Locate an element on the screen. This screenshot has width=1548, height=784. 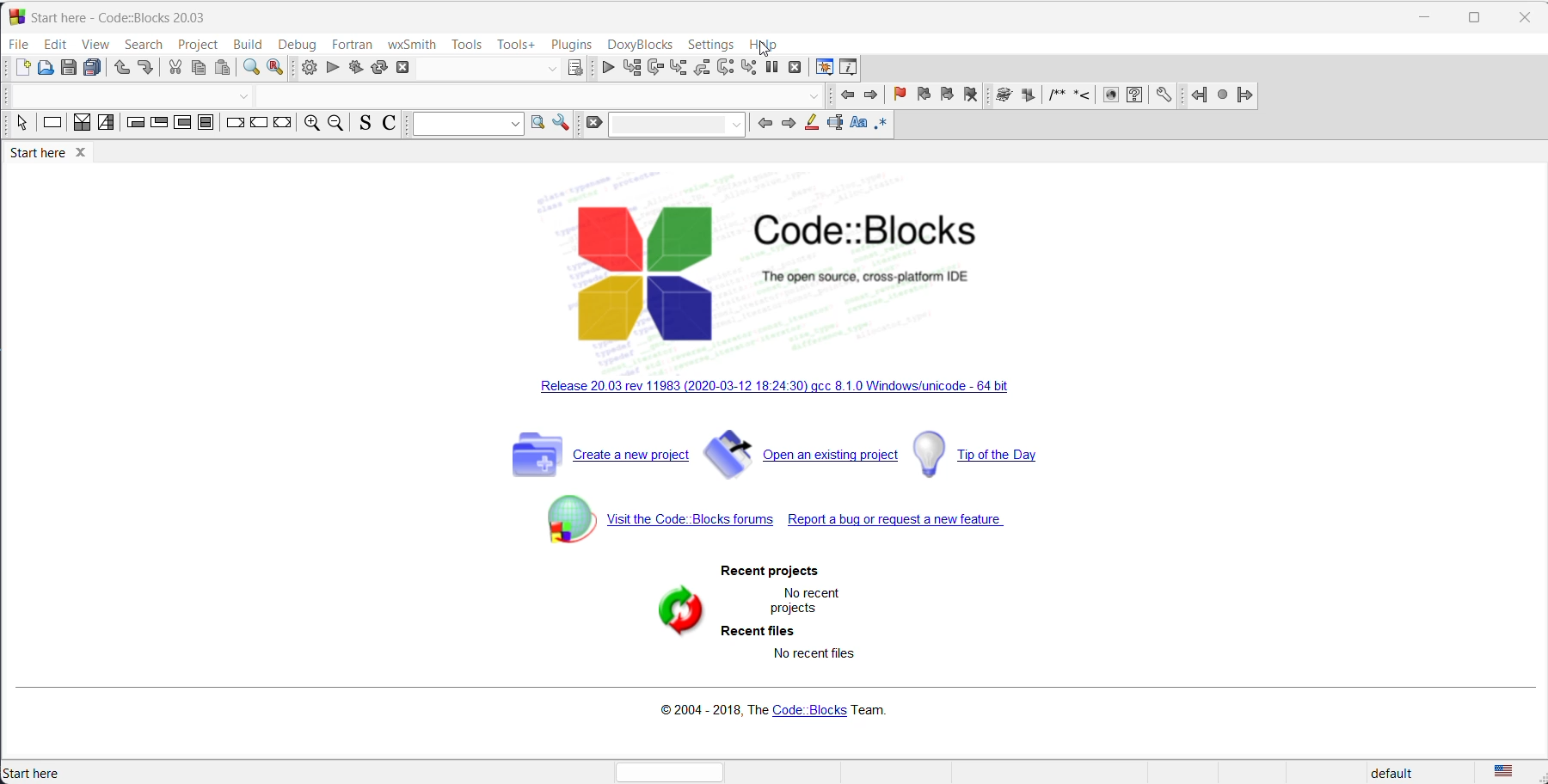
debug/continue is located at coordinates (610, 70).